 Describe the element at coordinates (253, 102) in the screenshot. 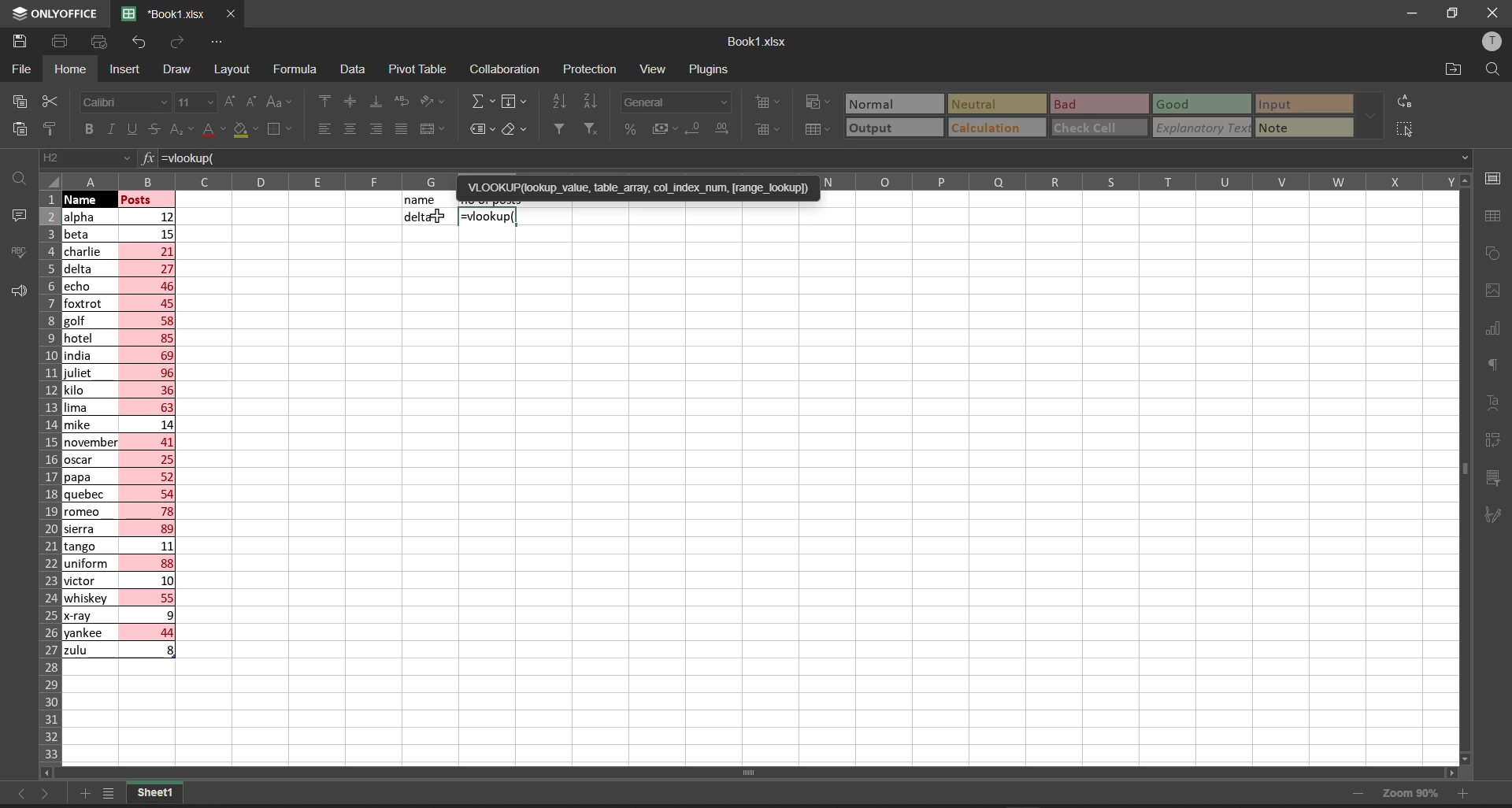

I see `decrement font size` at that location.